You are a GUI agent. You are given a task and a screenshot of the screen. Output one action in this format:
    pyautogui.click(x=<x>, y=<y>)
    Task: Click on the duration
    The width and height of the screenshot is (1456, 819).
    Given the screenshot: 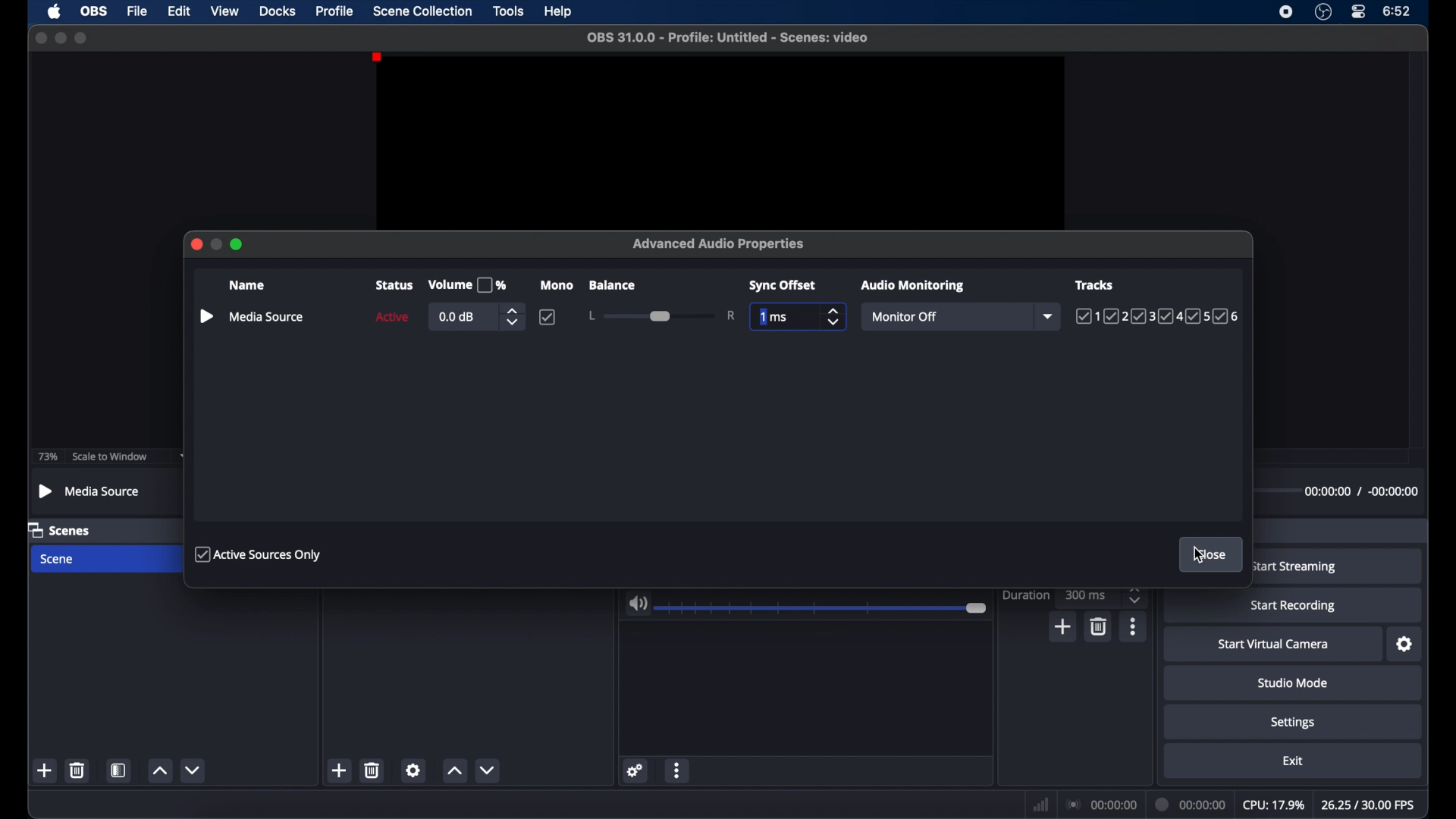 What is the action you would take?
    pyautogui.click(x=1027, y=594)
    